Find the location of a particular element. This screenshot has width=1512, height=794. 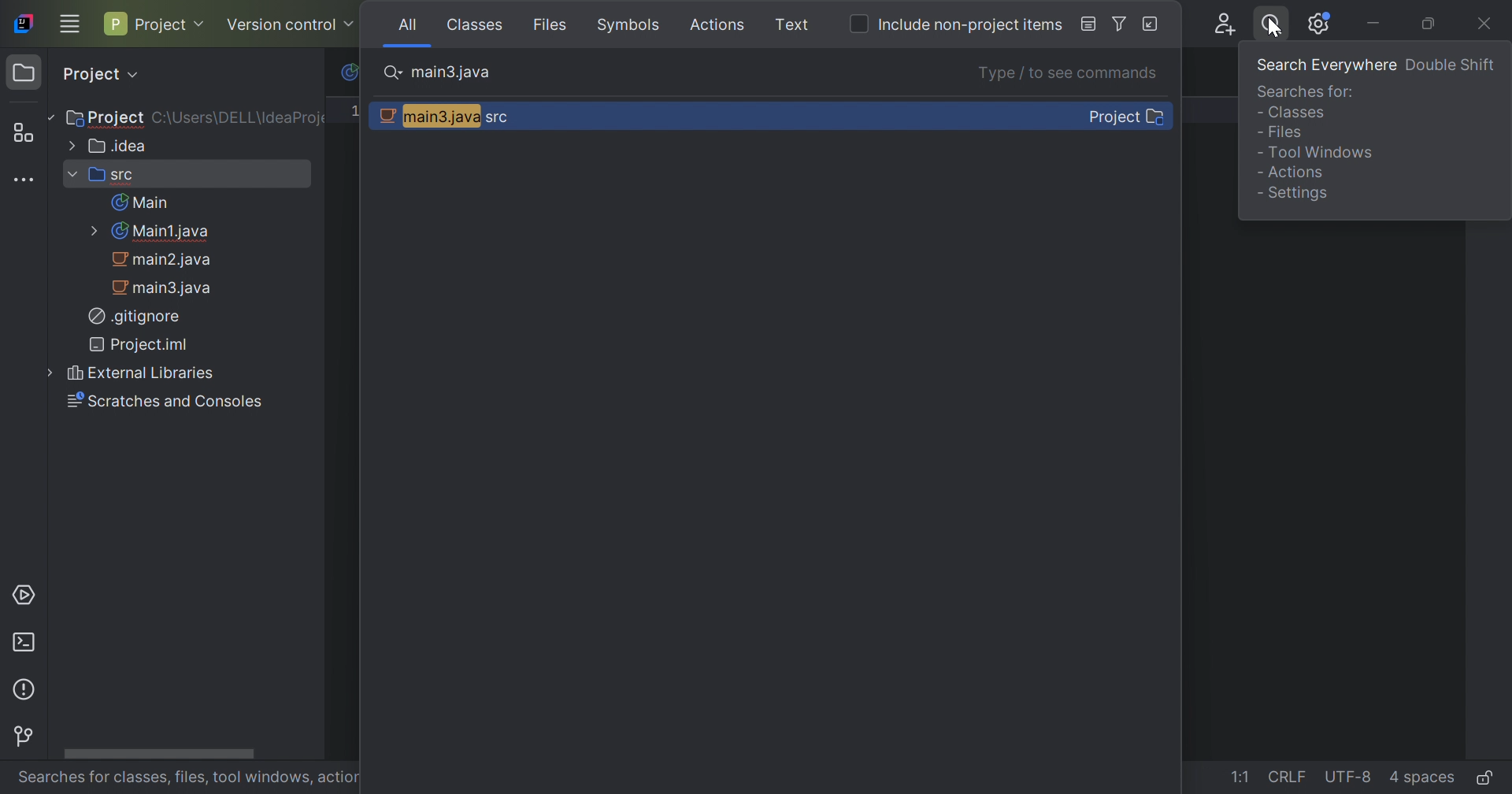

Main menu is located at coordinates (69, 25).